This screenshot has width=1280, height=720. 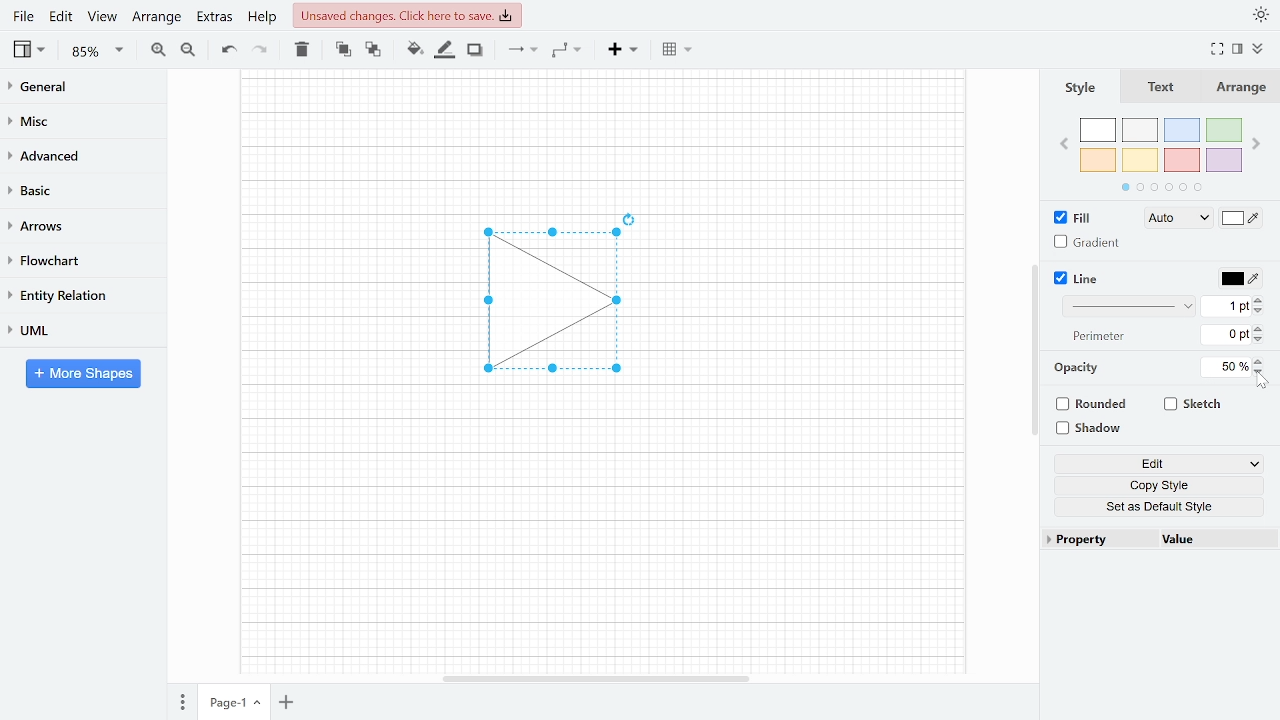 I want to click on To back, so click(x=371, y=48).